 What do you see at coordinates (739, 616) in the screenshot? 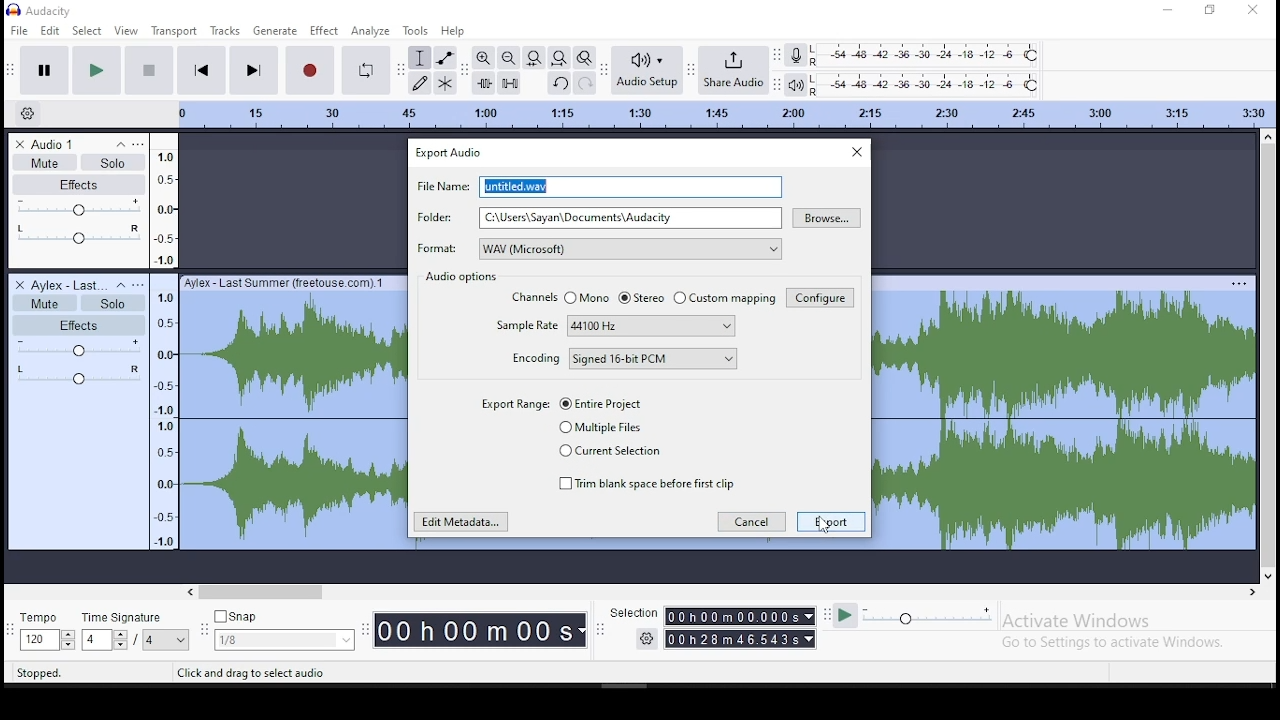
I see `00h00mMO00.000s` at bounding box center [739, 616].